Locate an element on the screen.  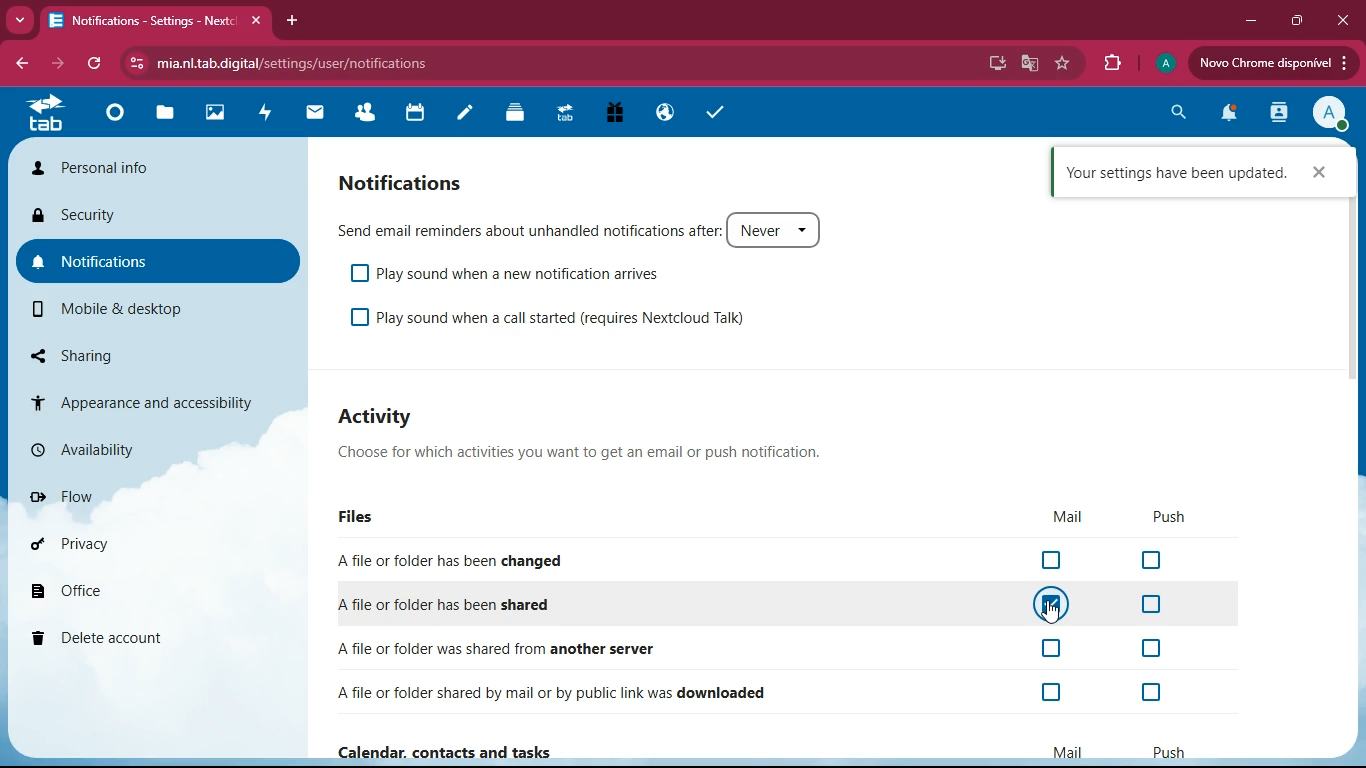
send email is located at coordinates (525, 229).